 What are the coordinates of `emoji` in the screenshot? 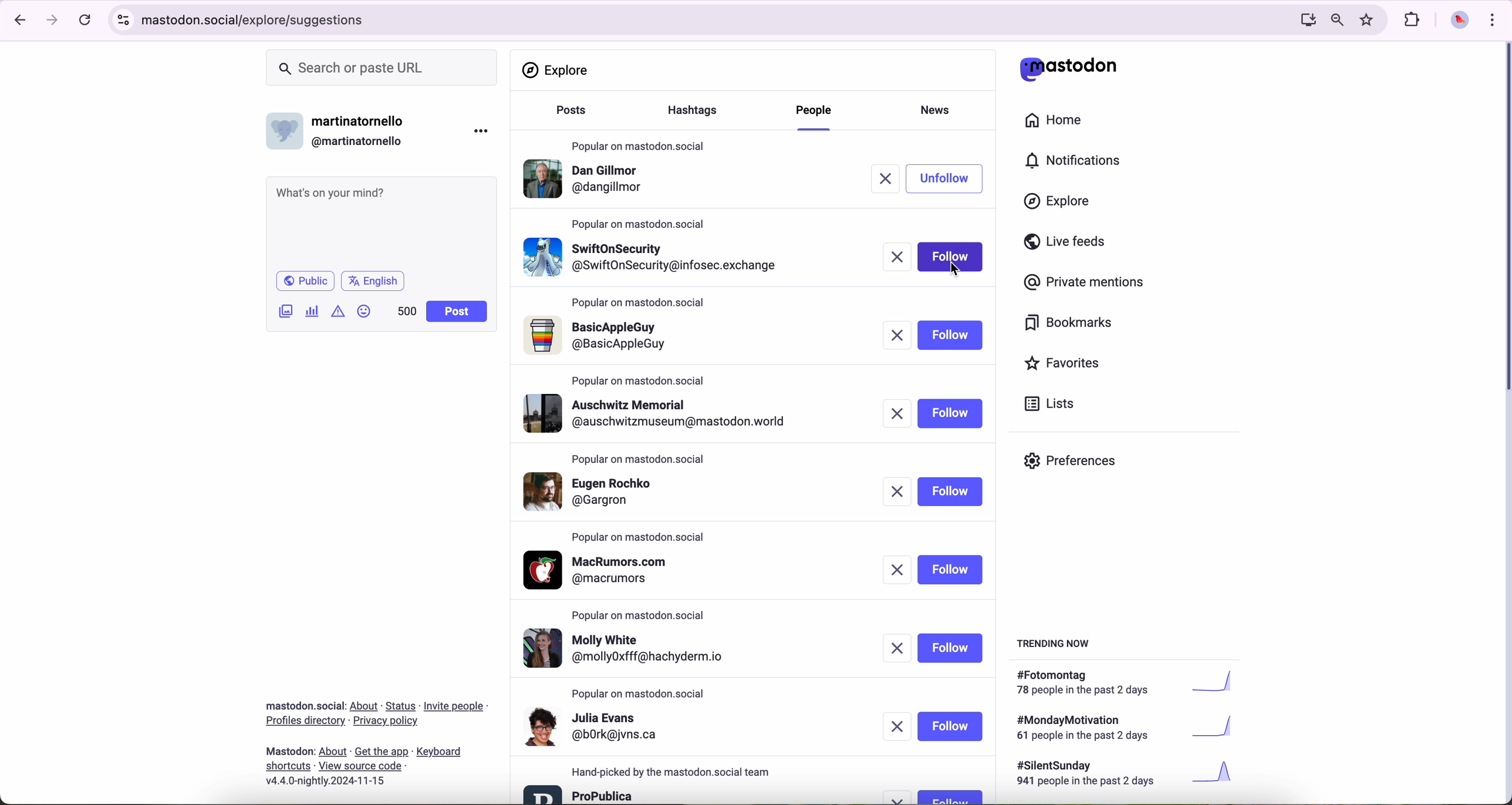 It's located at (365, 311).